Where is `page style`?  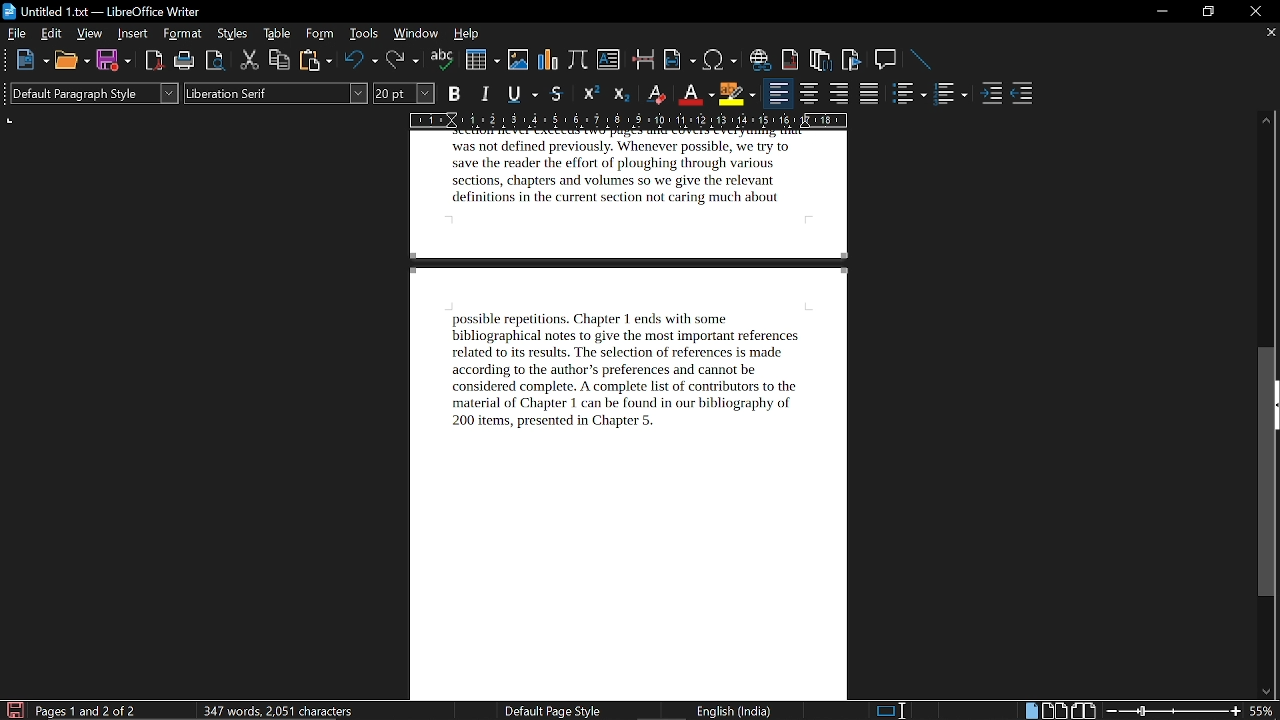
page style is located at coordinates (545, 711).